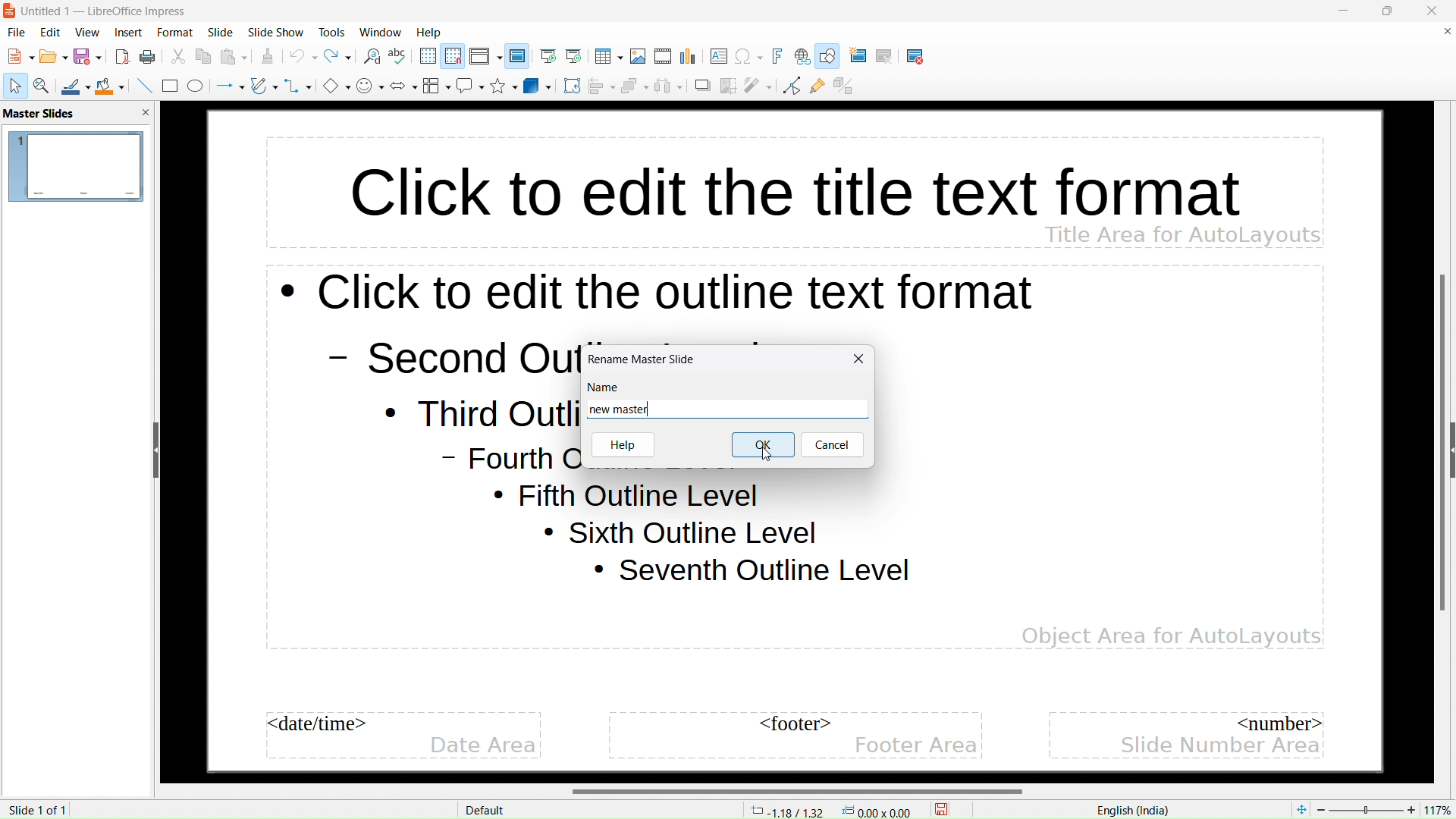  I want to click on Fifth outline level, so click(631, 496).